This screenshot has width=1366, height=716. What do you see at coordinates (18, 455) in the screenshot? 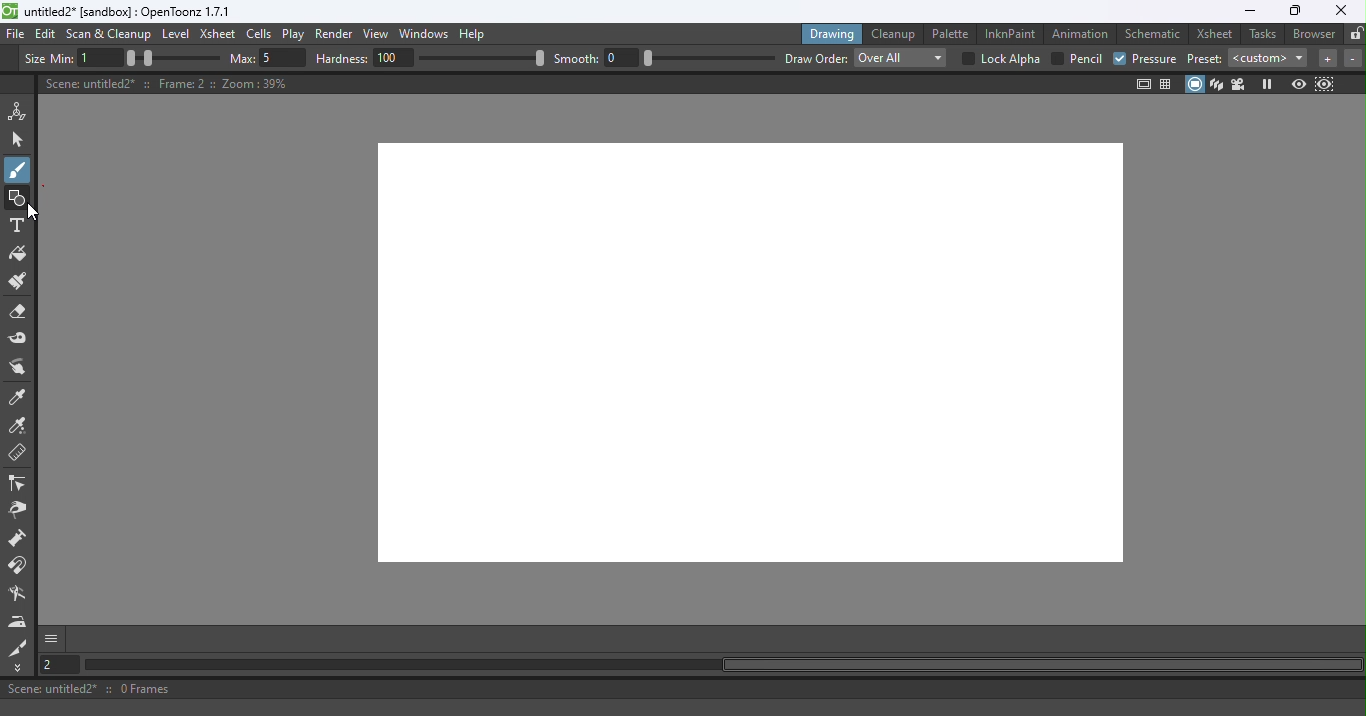
I see `Ruler tool` at bounding box center [18, 455].